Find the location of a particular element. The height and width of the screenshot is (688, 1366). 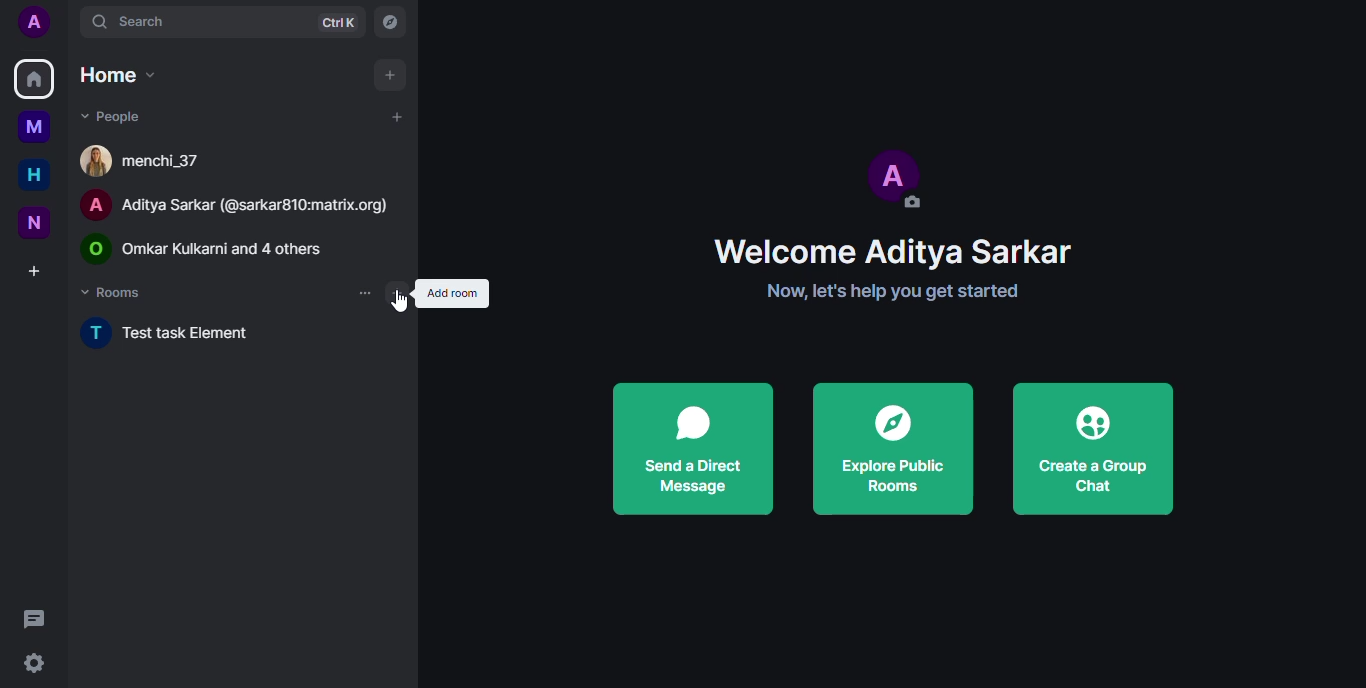

home is located at coordinates (33, 78).